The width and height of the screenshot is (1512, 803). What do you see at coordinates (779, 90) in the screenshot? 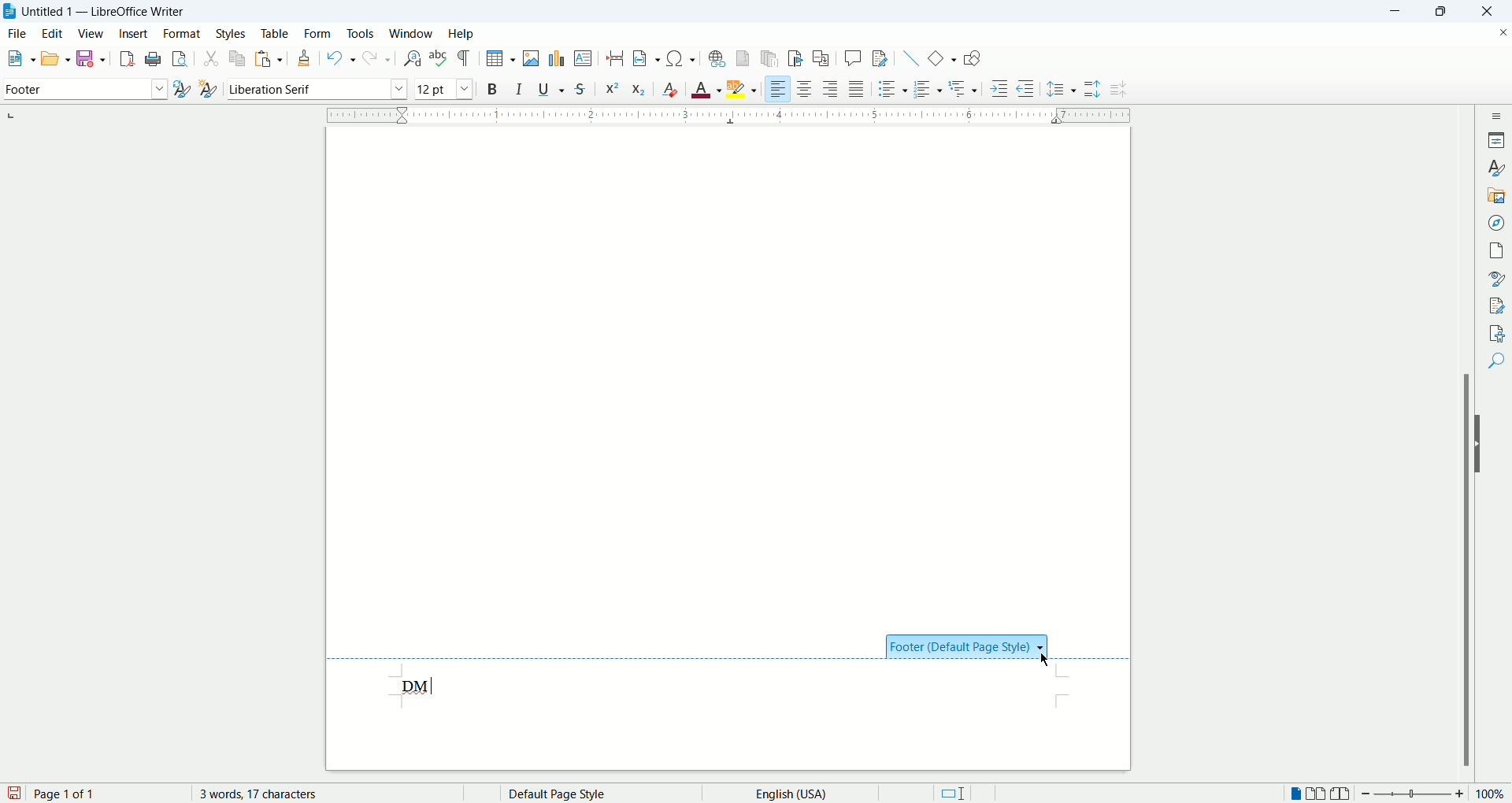
I see `align left` at bounding box center [779, 90].